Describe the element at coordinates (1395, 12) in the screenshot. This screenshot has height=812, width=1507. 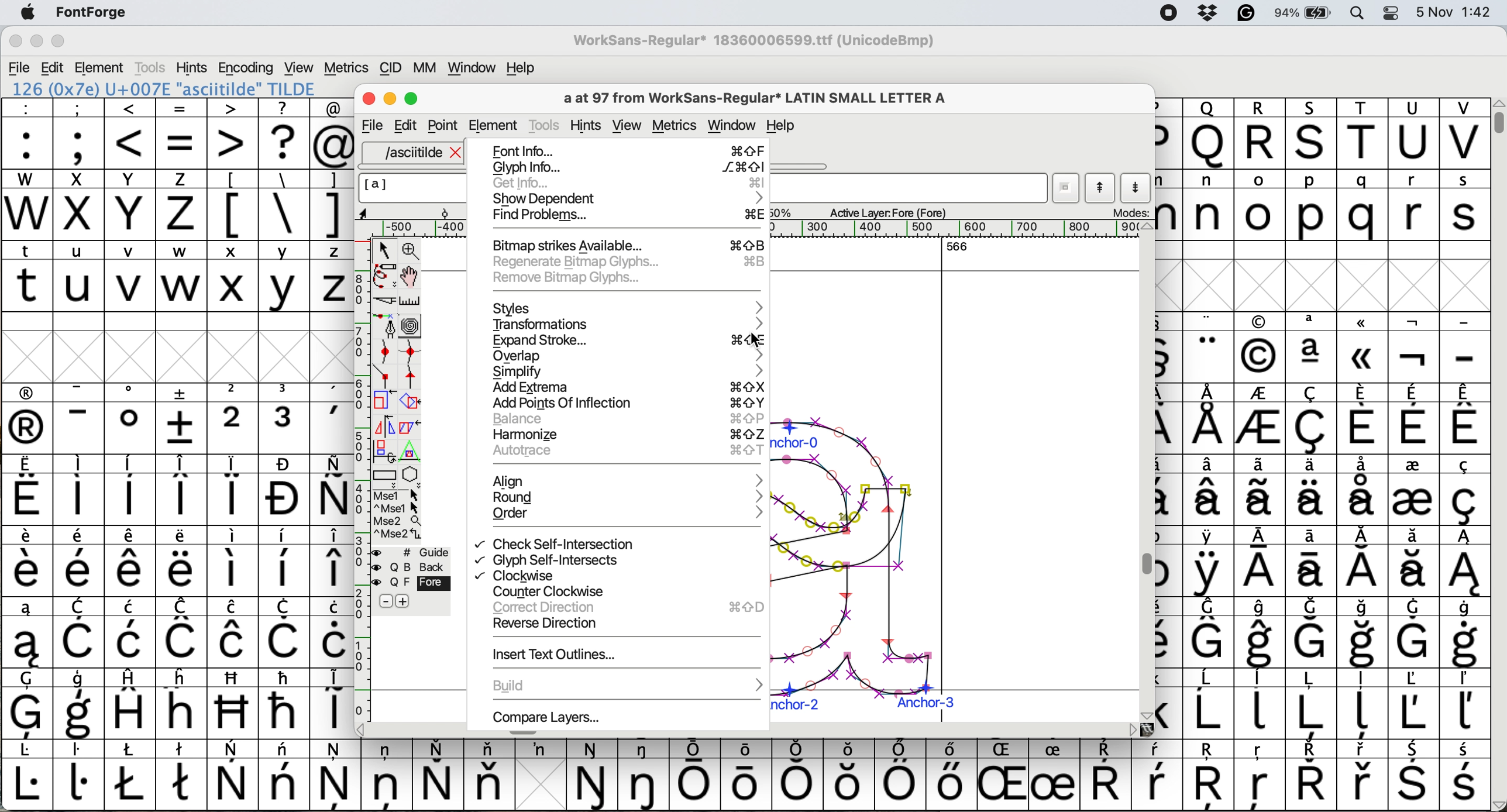
I see `control center` at that location.